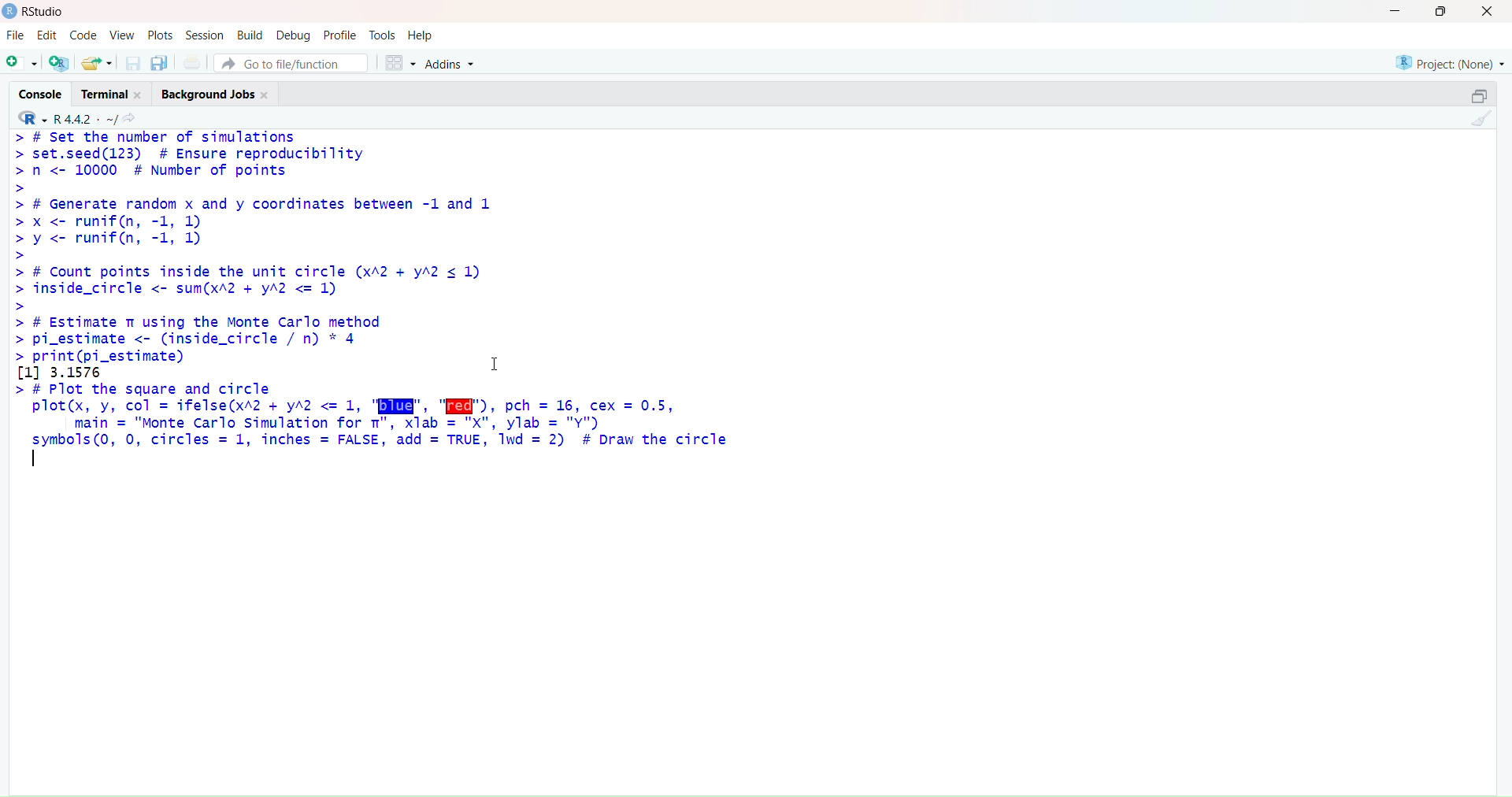 The width and height of the screenshot is (1512, 797). Describe the element at coordinates (113, 94) in the screenshot. I see `Terminal` at that location.